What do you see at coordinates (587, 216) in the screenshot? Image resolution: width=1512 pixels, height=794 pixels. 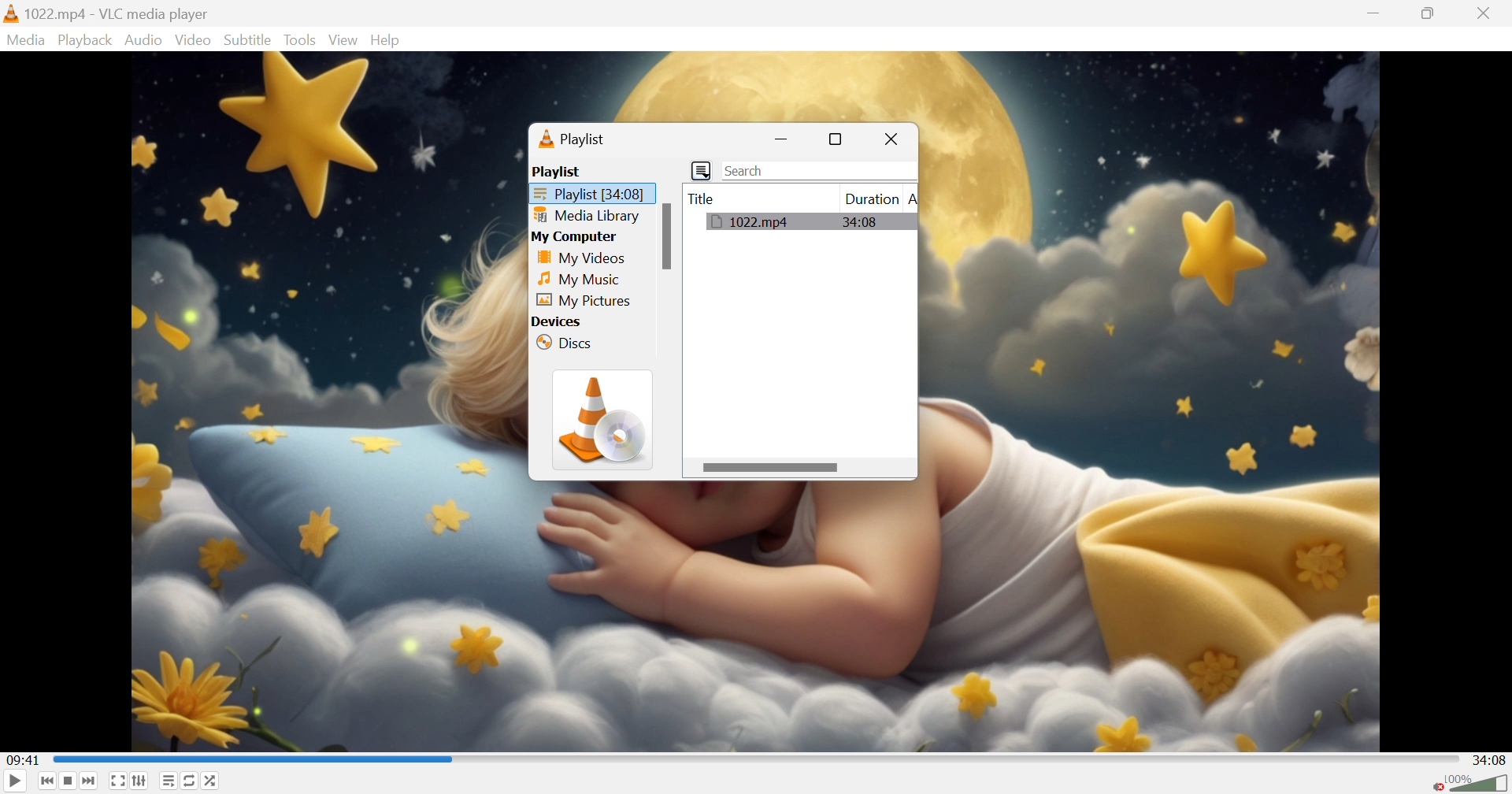 I see `Media library` at bounding box center [587, 216].